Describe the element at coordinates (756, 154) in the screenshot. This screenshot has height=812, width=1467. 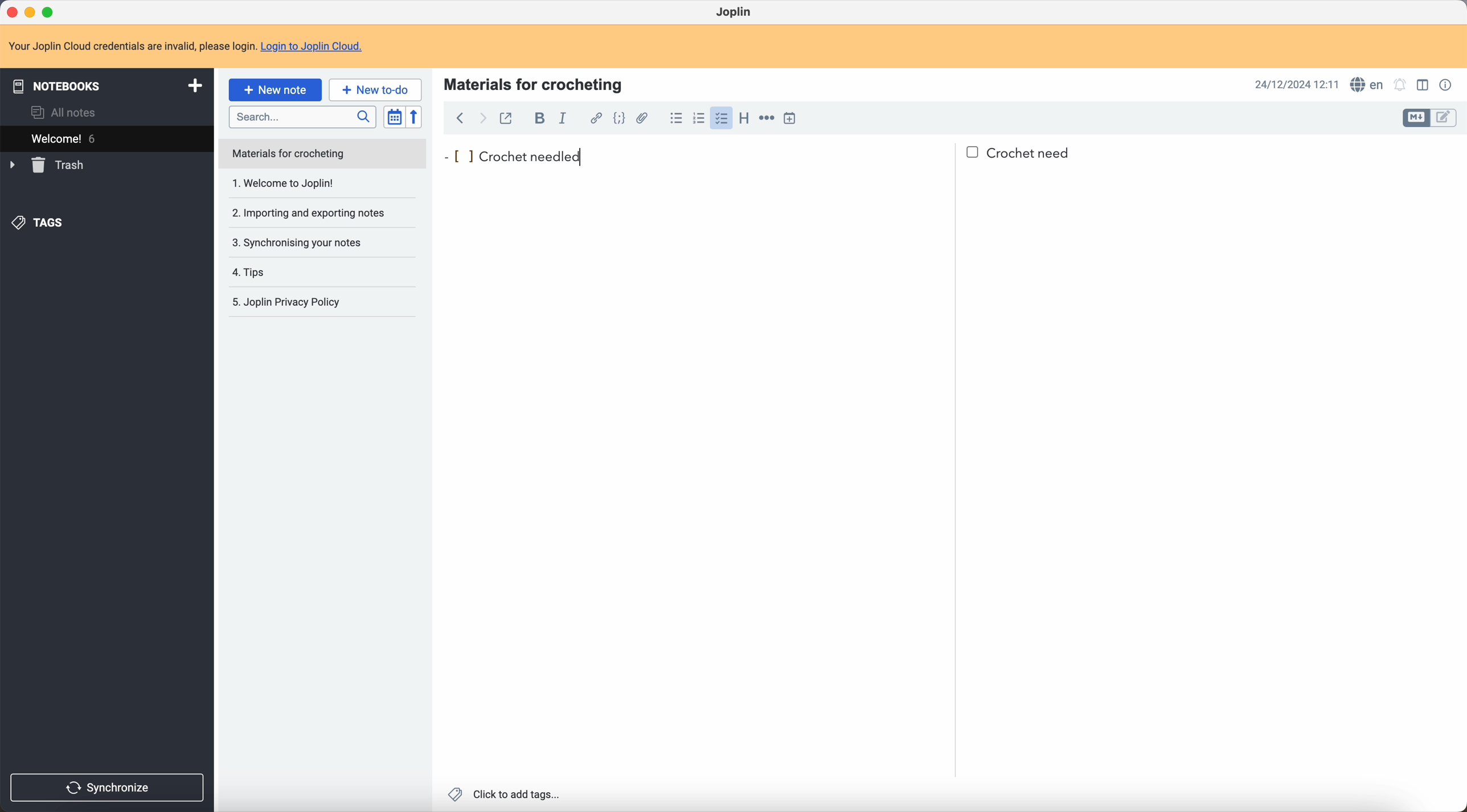
I see `crochet needled` at that location.